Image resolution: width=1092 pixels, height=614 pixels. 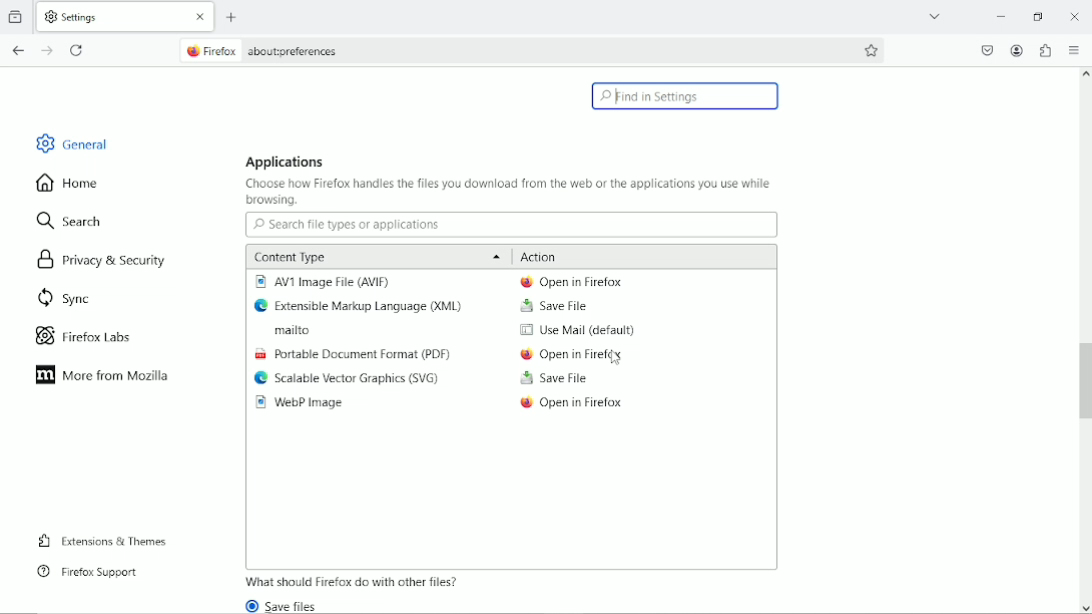 What do you see at coordinates (363, 306) in the screenshot?
I see `Extensible Markup Language` at bounding box center [363, 306].